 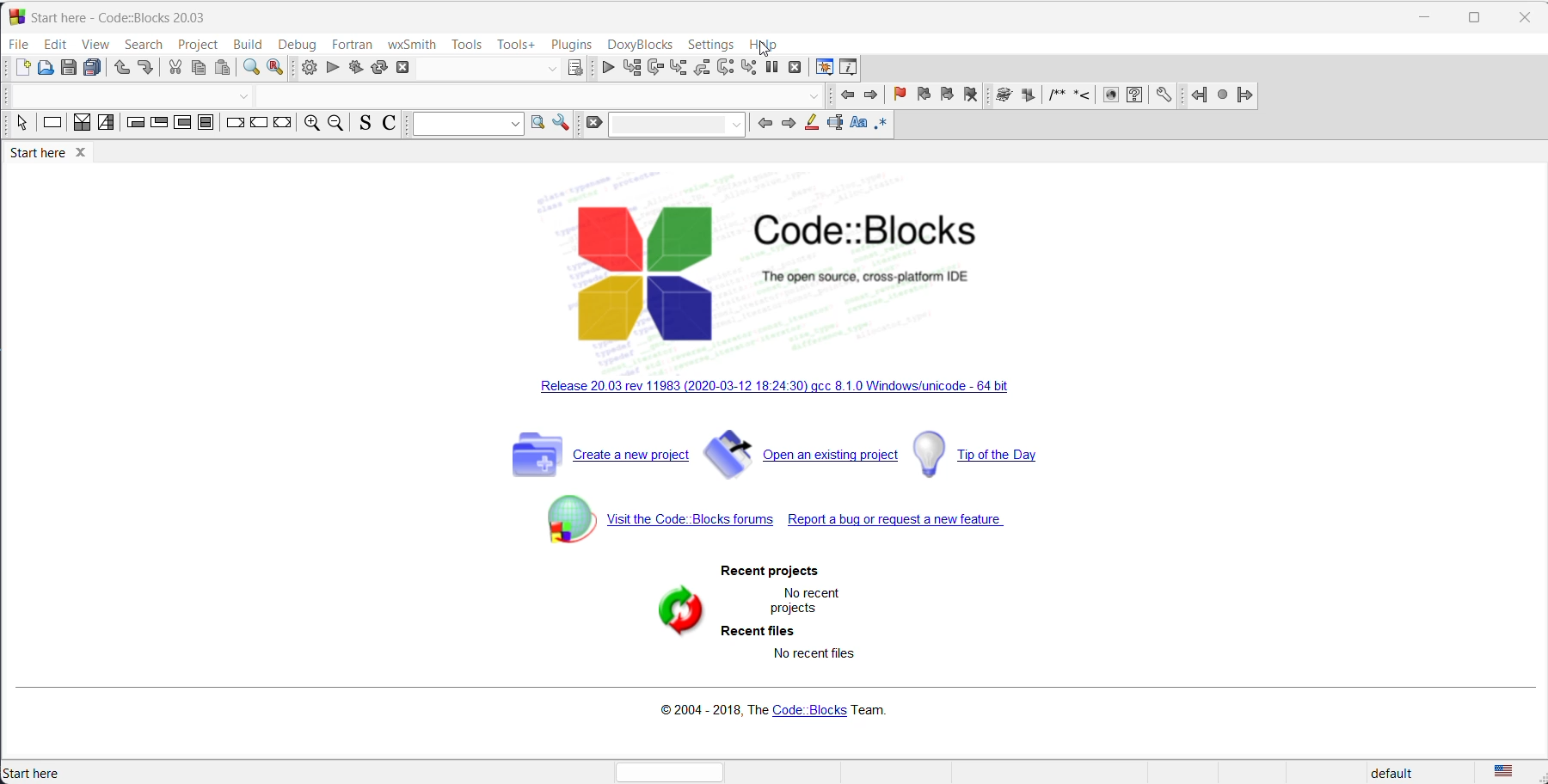 What do you see at coordinates (53, 154) in the screenshot?
I see `start here` at bounding box center [53, 154].